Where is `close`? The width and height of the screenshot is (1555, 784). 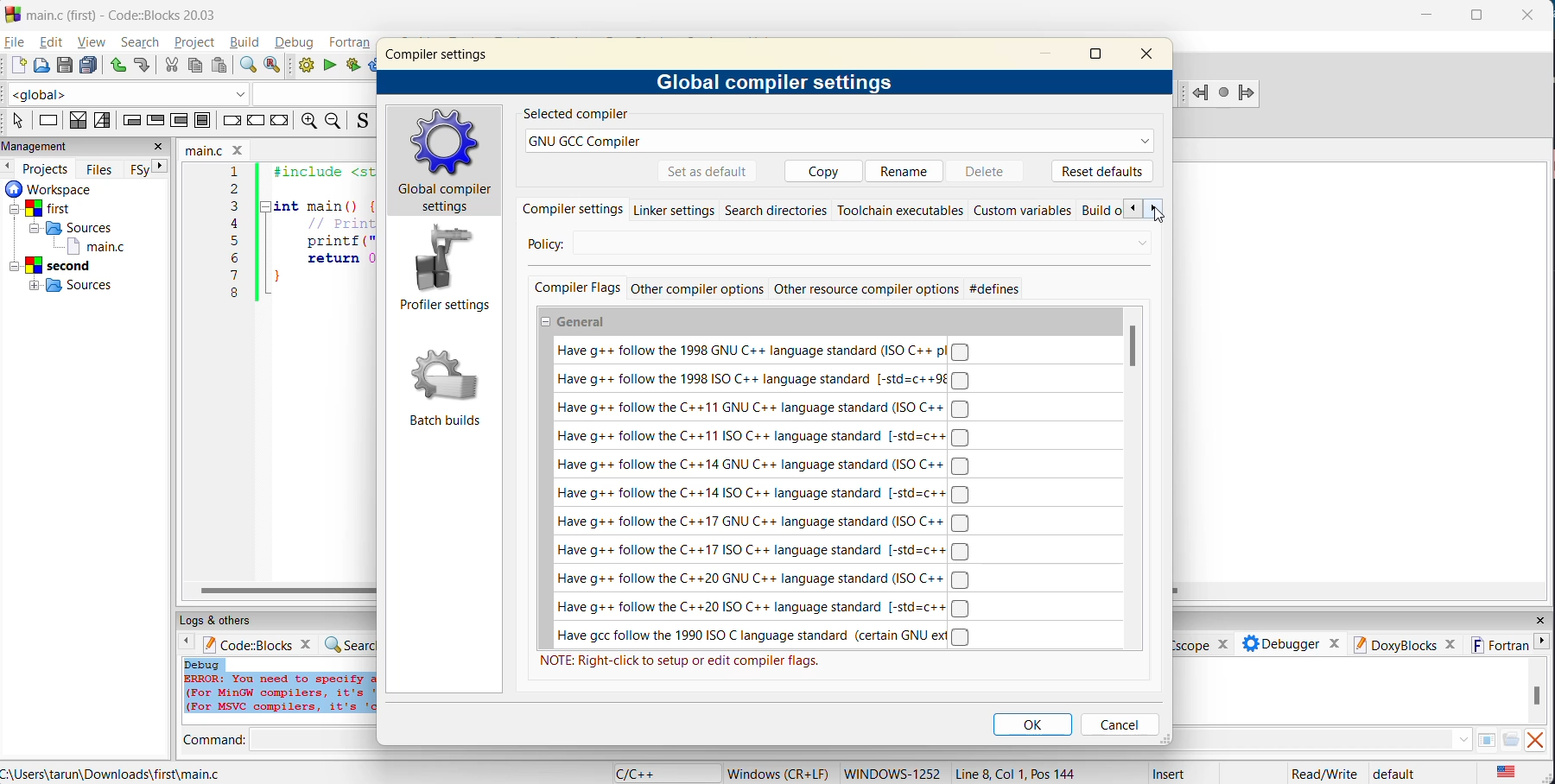
close is located at coordinates (1154, 54).